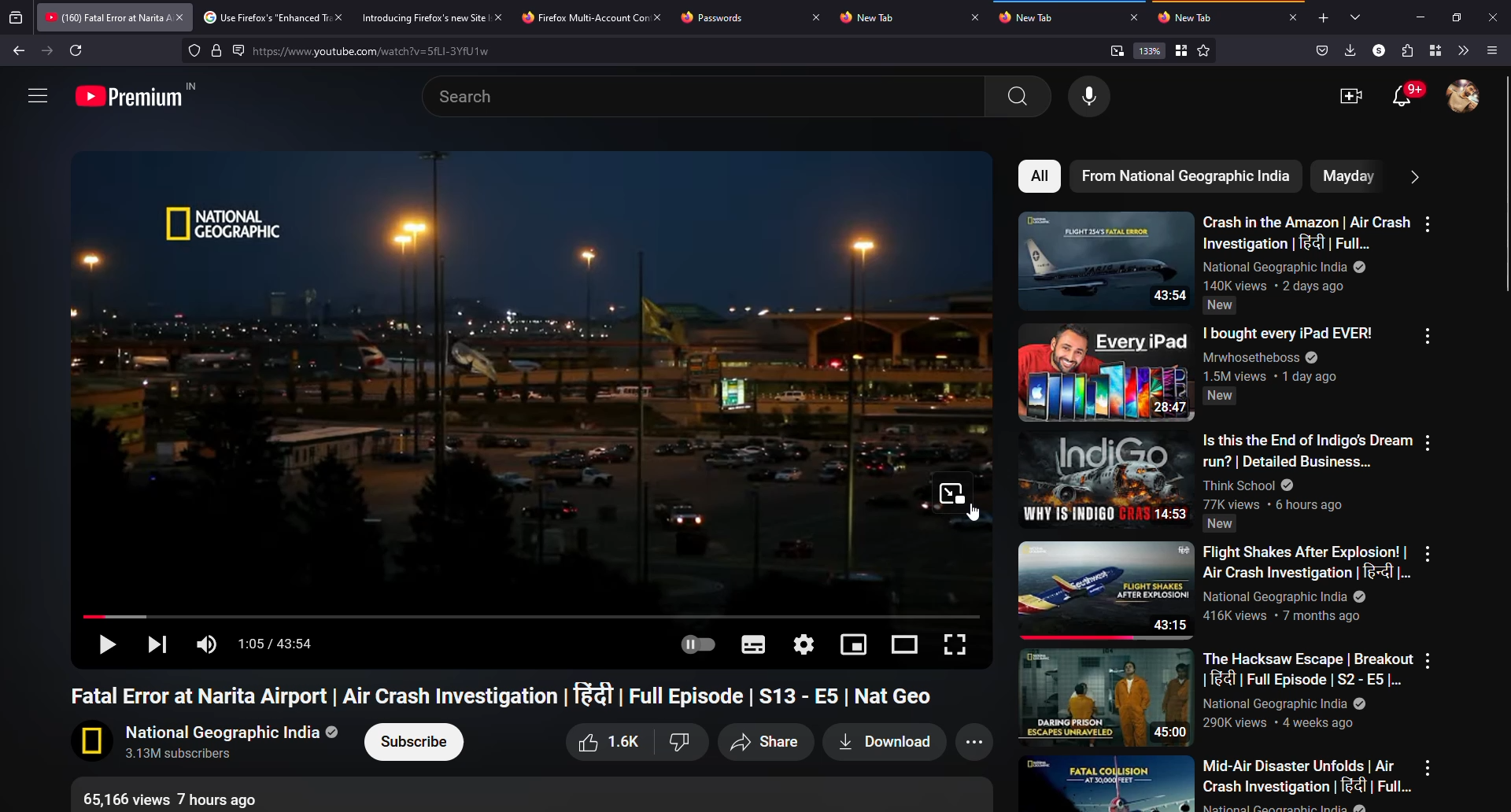 The width and height of the screenshot is (1511, 812). I want to click on tracking, so click(194, 50).